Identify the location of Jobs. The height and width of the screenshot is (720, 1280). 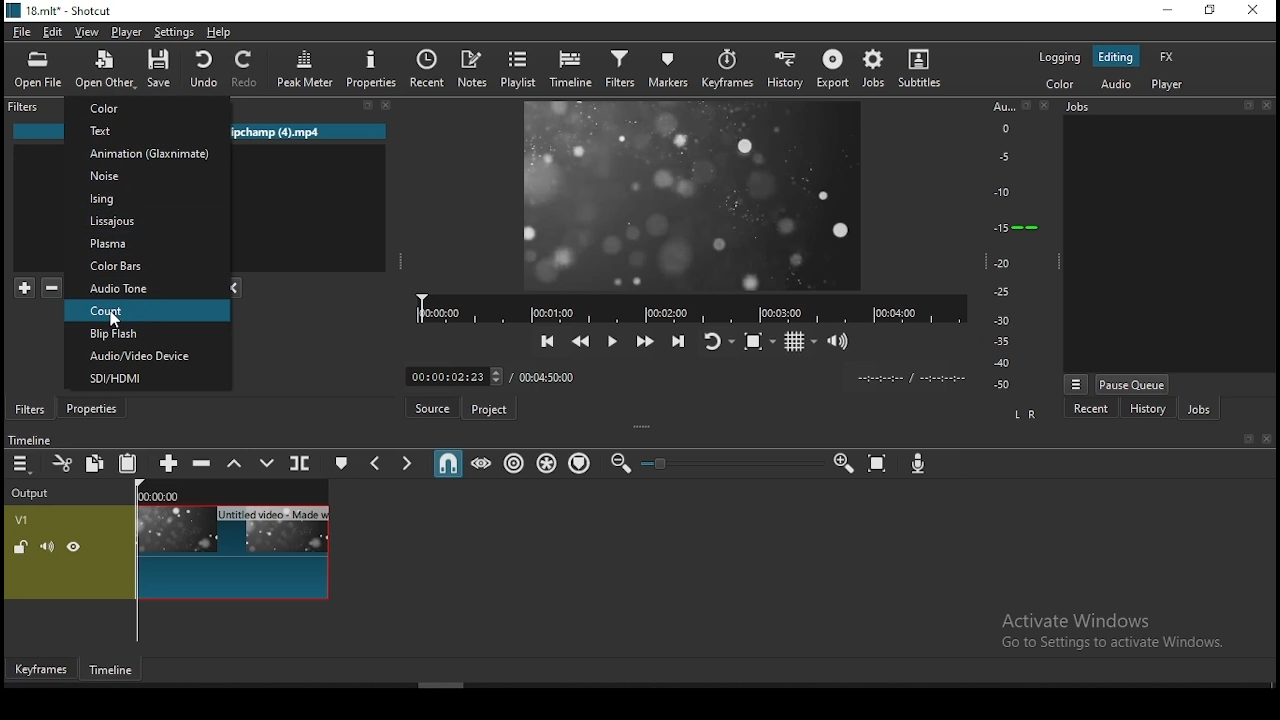
(1165, 108).